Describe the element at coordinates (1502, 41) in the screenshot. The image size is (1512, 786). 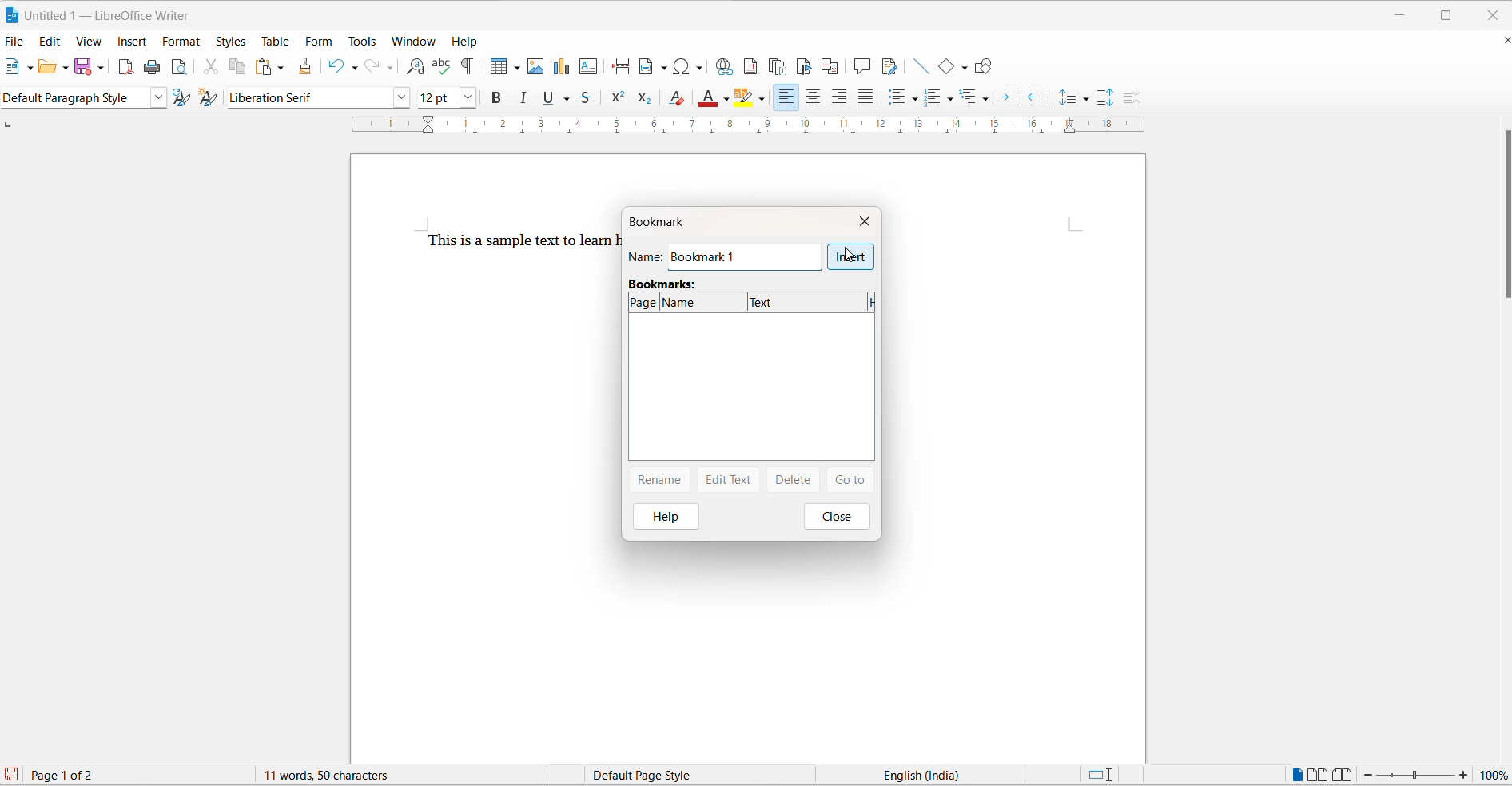
I see `close document` at that location.